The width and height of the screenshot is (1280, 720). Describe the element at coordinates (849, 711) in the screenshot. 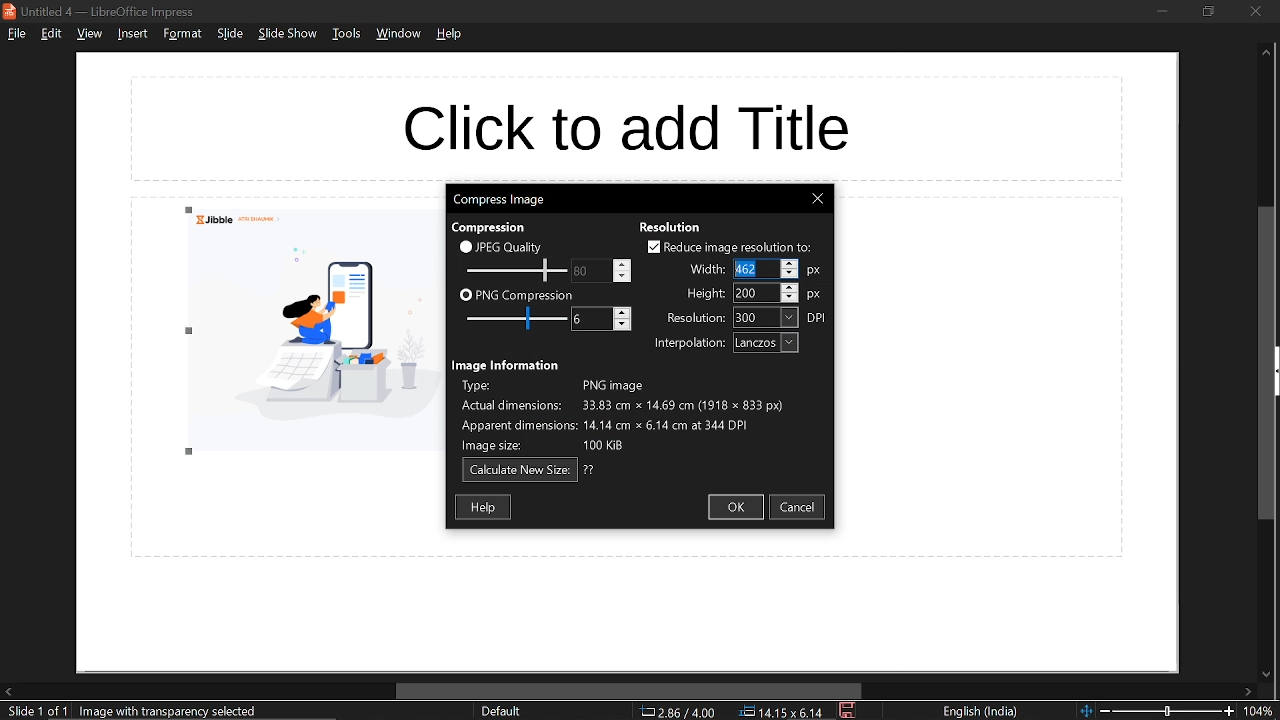

I see `save` at that location.